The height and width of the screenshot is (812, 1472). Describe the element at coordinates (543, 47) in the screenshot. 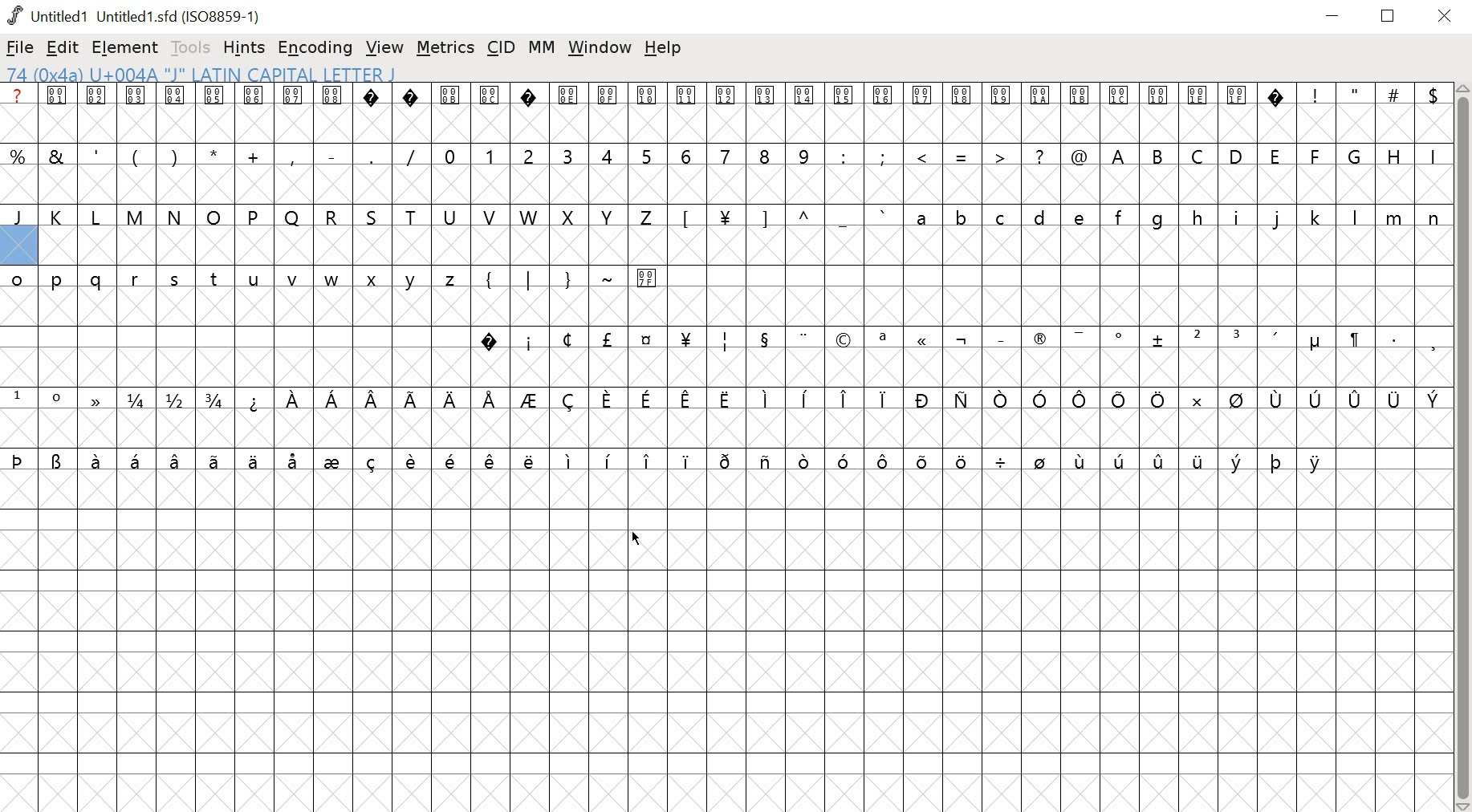

I see `MM` at that location.